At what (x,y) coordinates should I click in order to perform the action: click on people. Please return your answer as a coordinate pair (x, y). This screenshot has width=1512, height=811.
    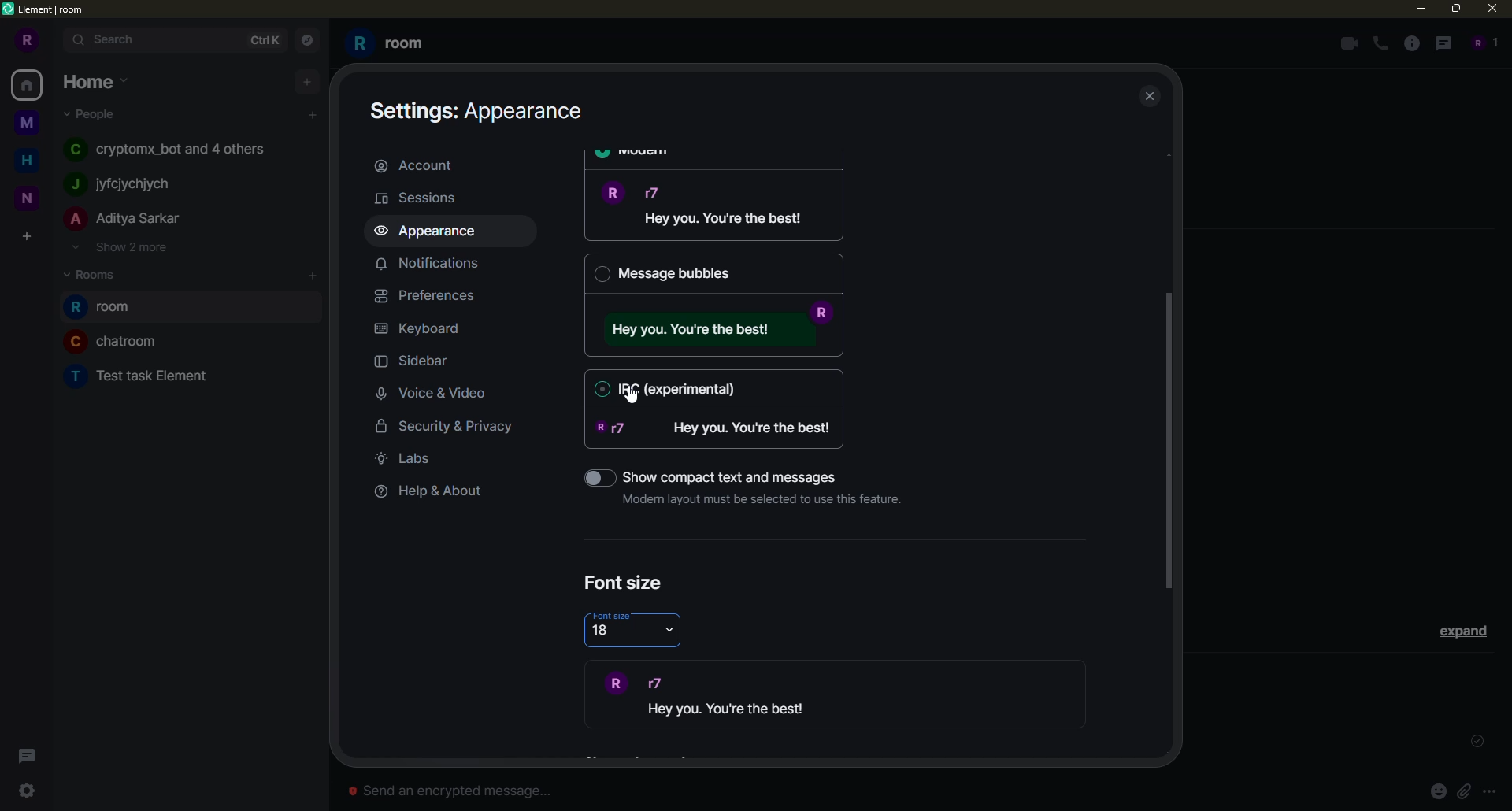
    Looking at the image, I should click on (121, 220).